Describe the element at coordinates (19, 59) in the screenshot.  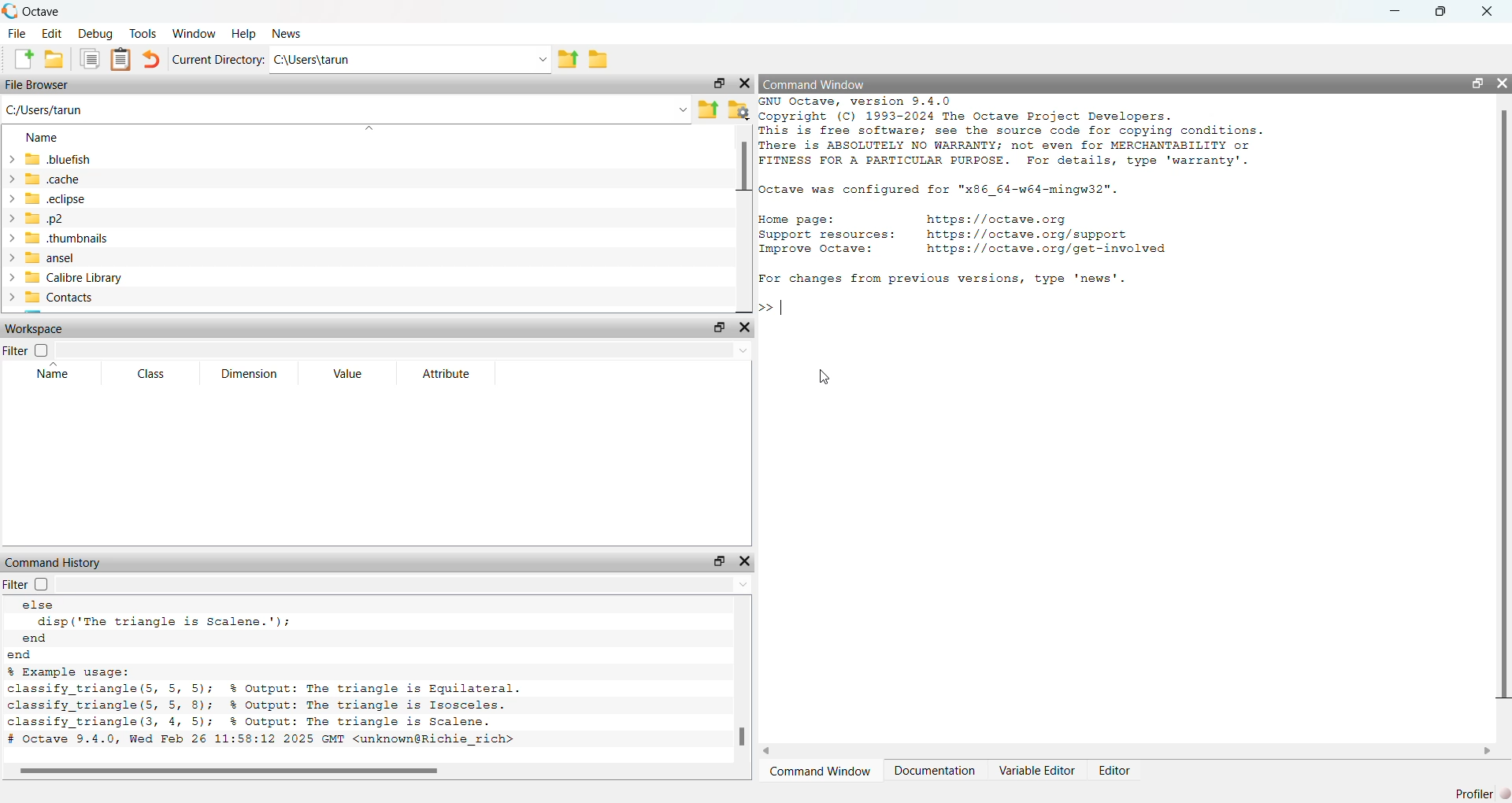
I see `new script` at that location.